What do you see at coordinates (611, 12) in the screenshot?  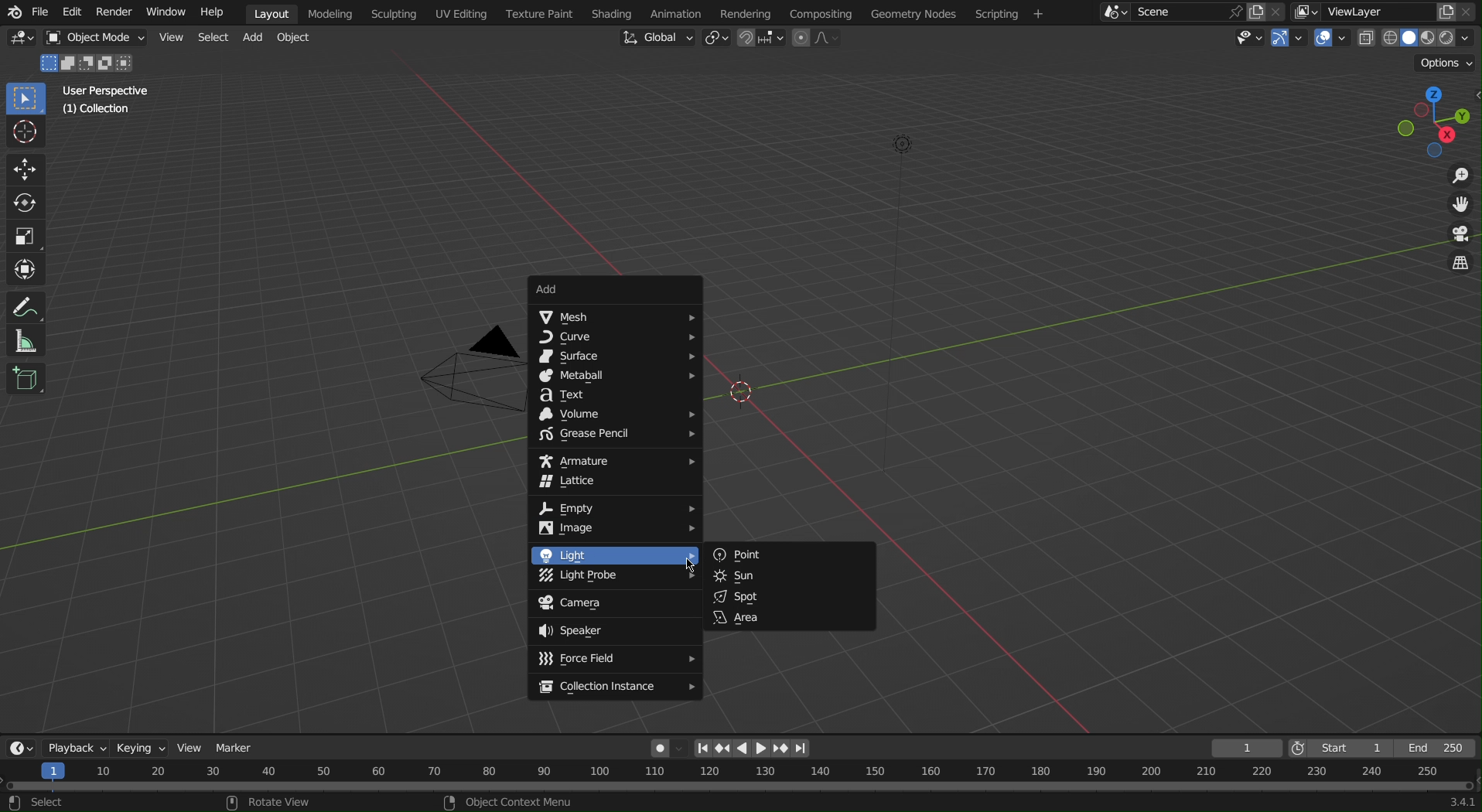 I see `Shading` at bounding box center [611, 12].